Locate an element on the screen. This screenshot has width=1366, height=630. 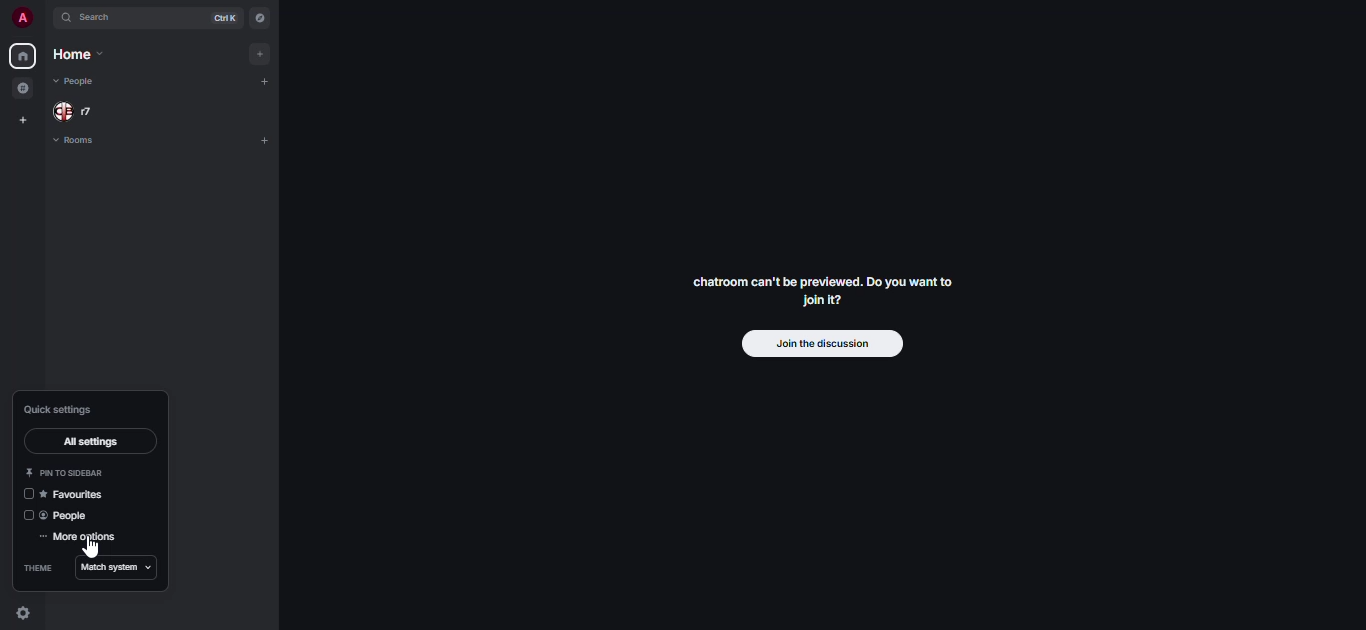
home is located at coordinates (22, 55).